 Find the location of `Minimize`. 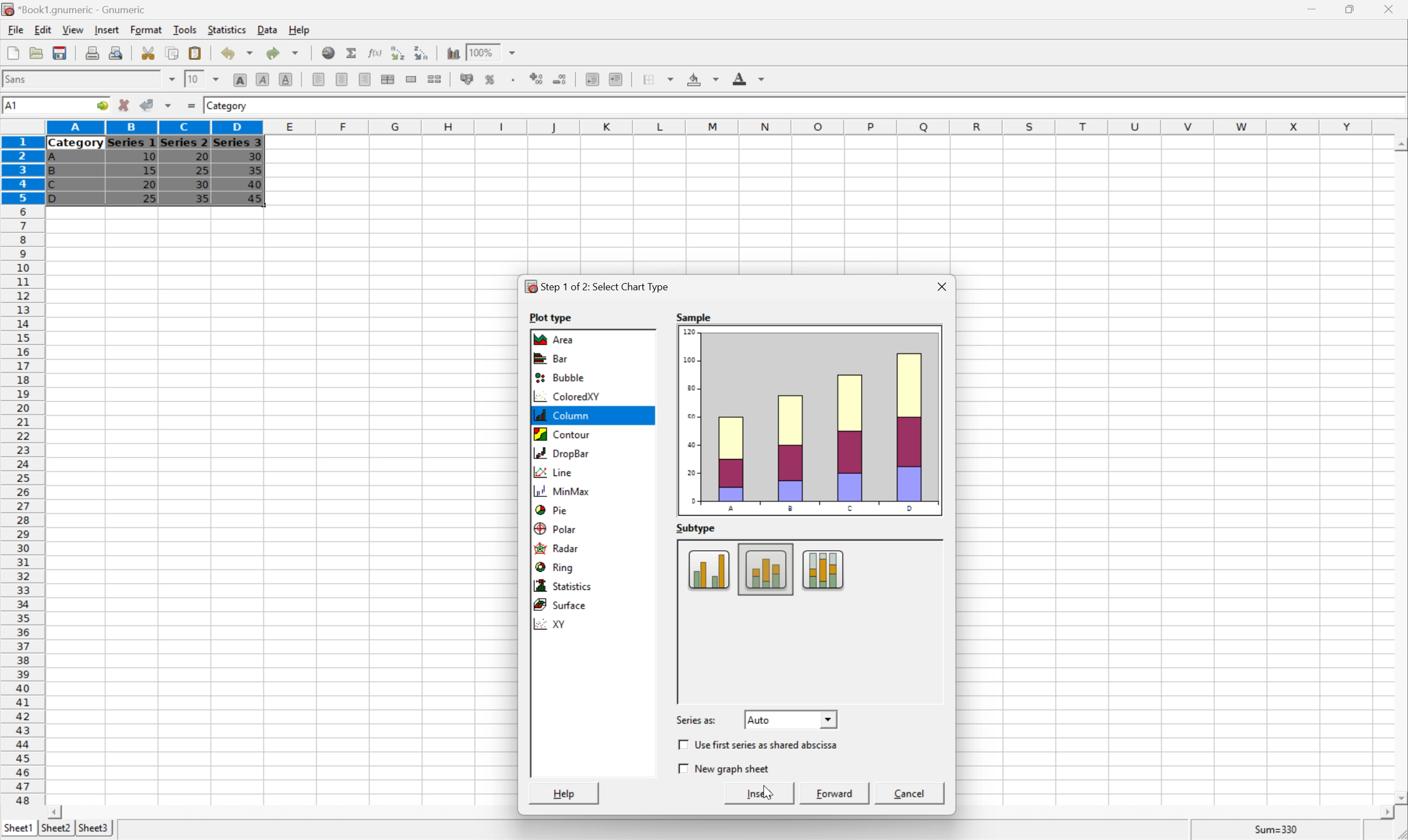

Minimize is located at coordinates (1308, 10).